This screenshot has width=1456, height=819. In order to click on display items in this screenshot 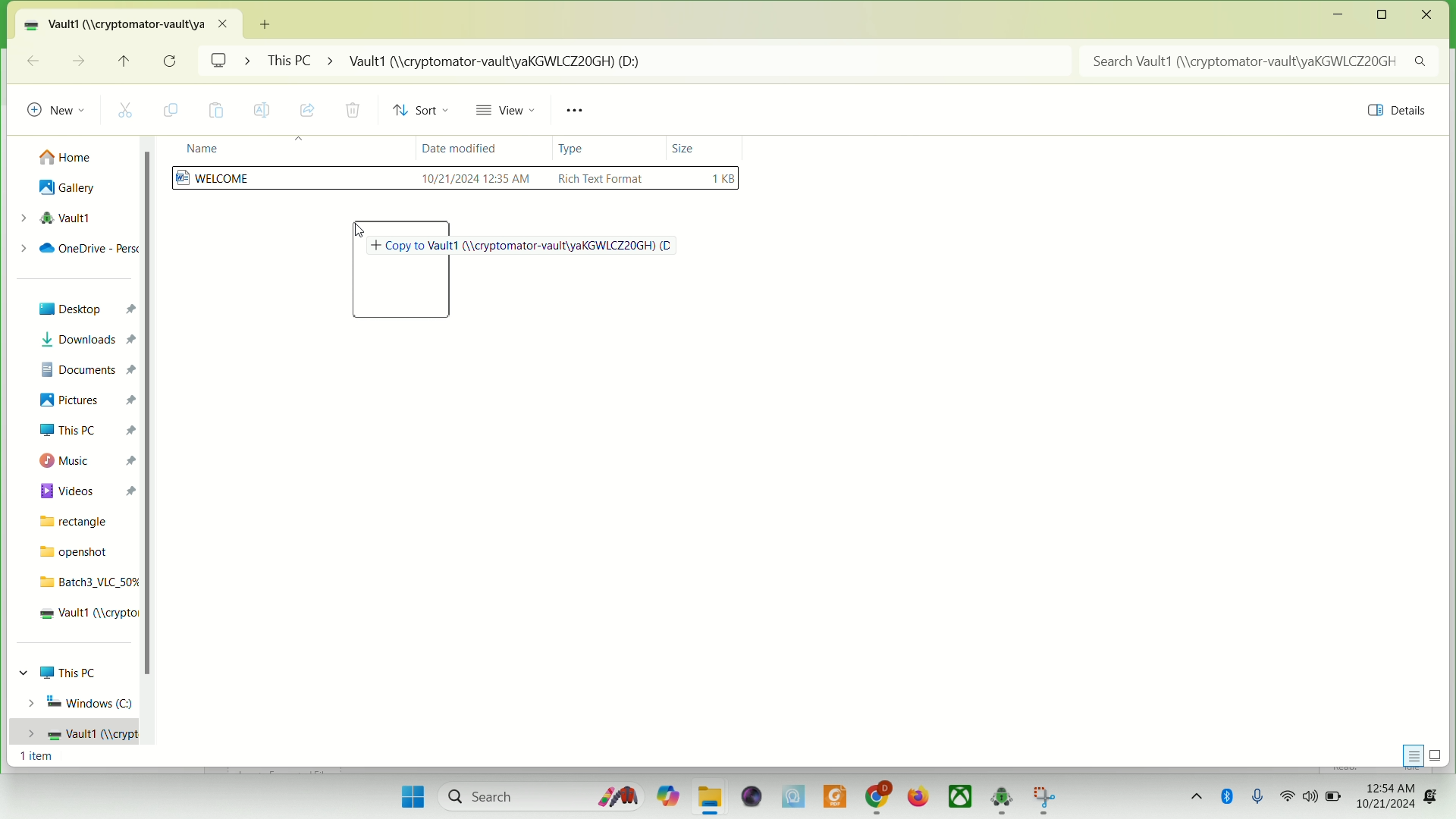, I will do `click(1439, 755)`.